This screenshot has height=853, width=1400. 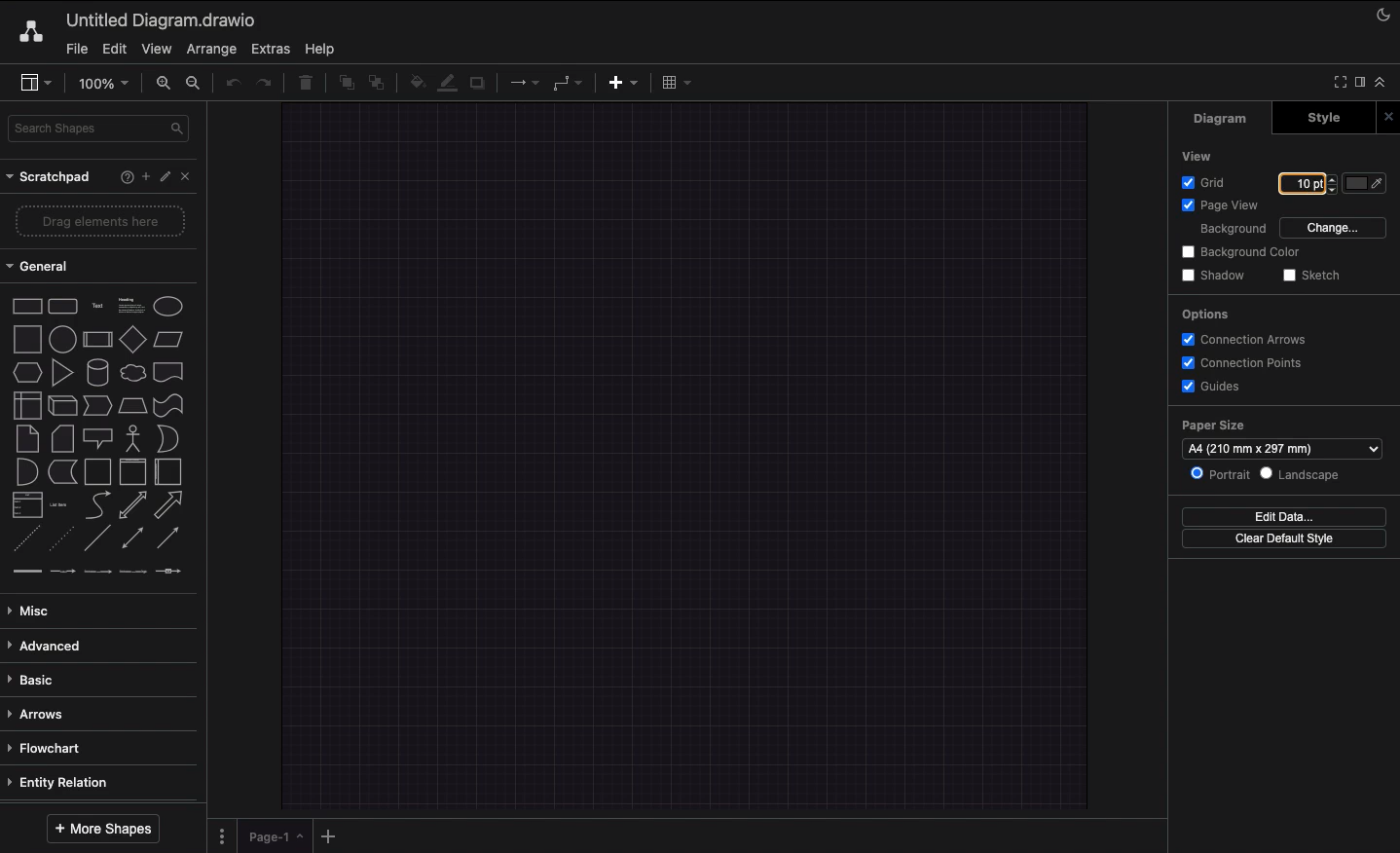 What do you see at coordinates (1386, 115) in the screenshot?
I see `Close` at bounding box center [1386, 115].